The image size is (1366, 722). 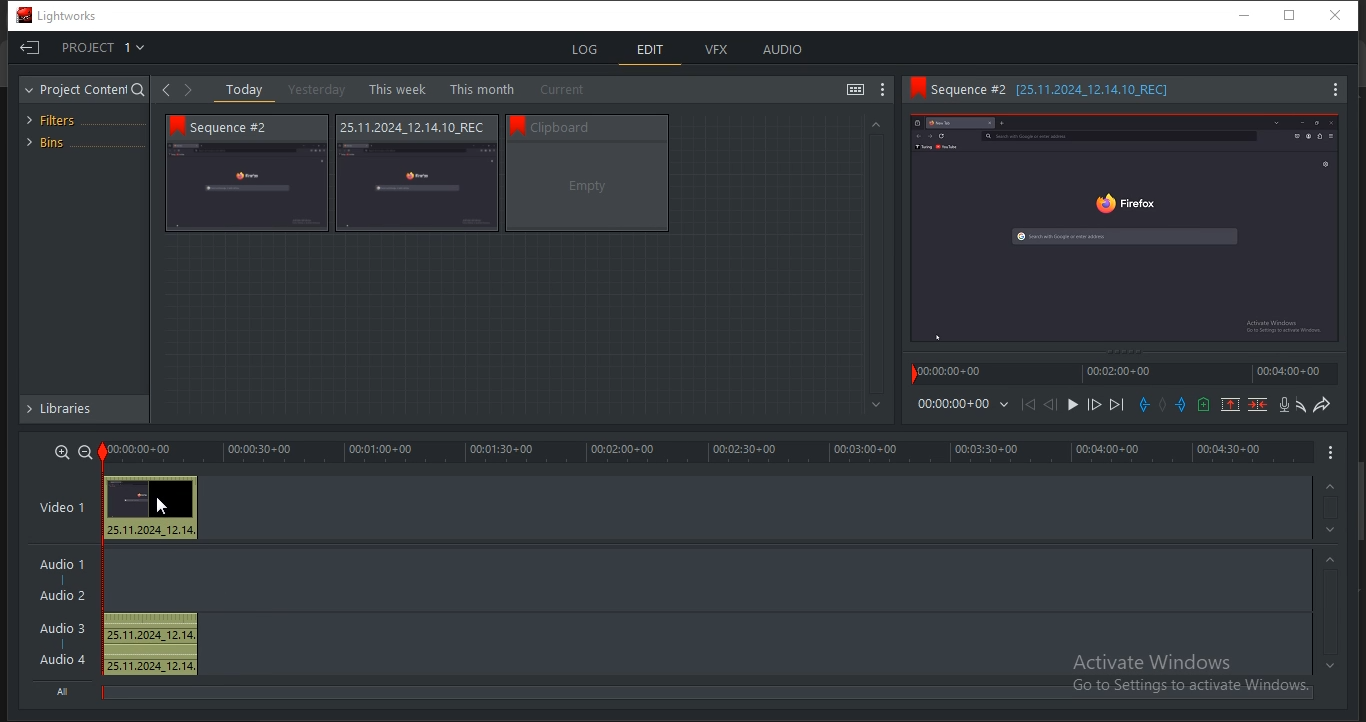 What do you see at coordinates (1094, 405) in the screenshot?
I see `Nudge one frame forward` at bounding box center [1094, 405].